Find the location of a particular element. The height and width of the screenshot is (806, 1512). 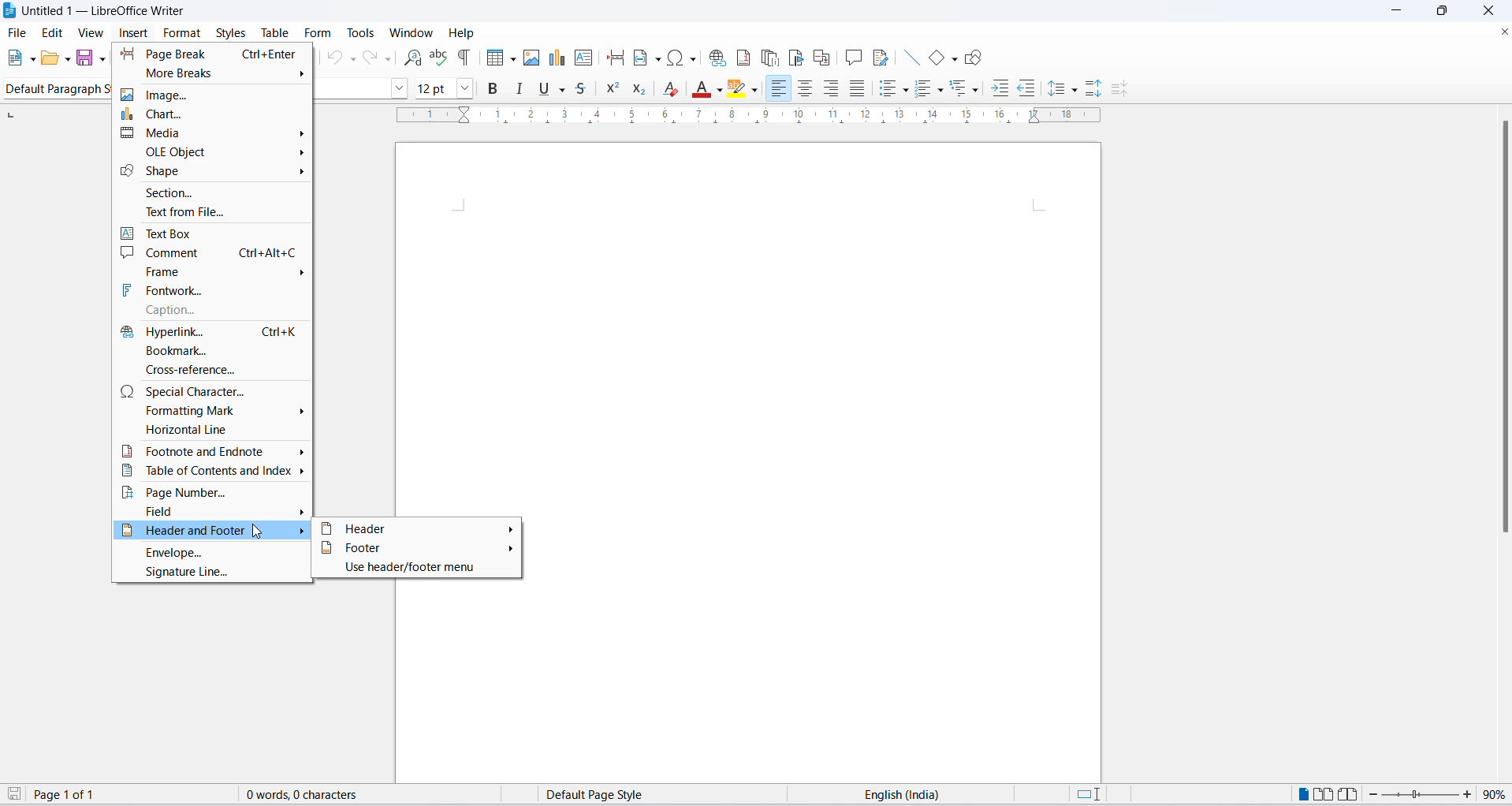

TEXT FROM FILE is located at coordinates (212, 211).